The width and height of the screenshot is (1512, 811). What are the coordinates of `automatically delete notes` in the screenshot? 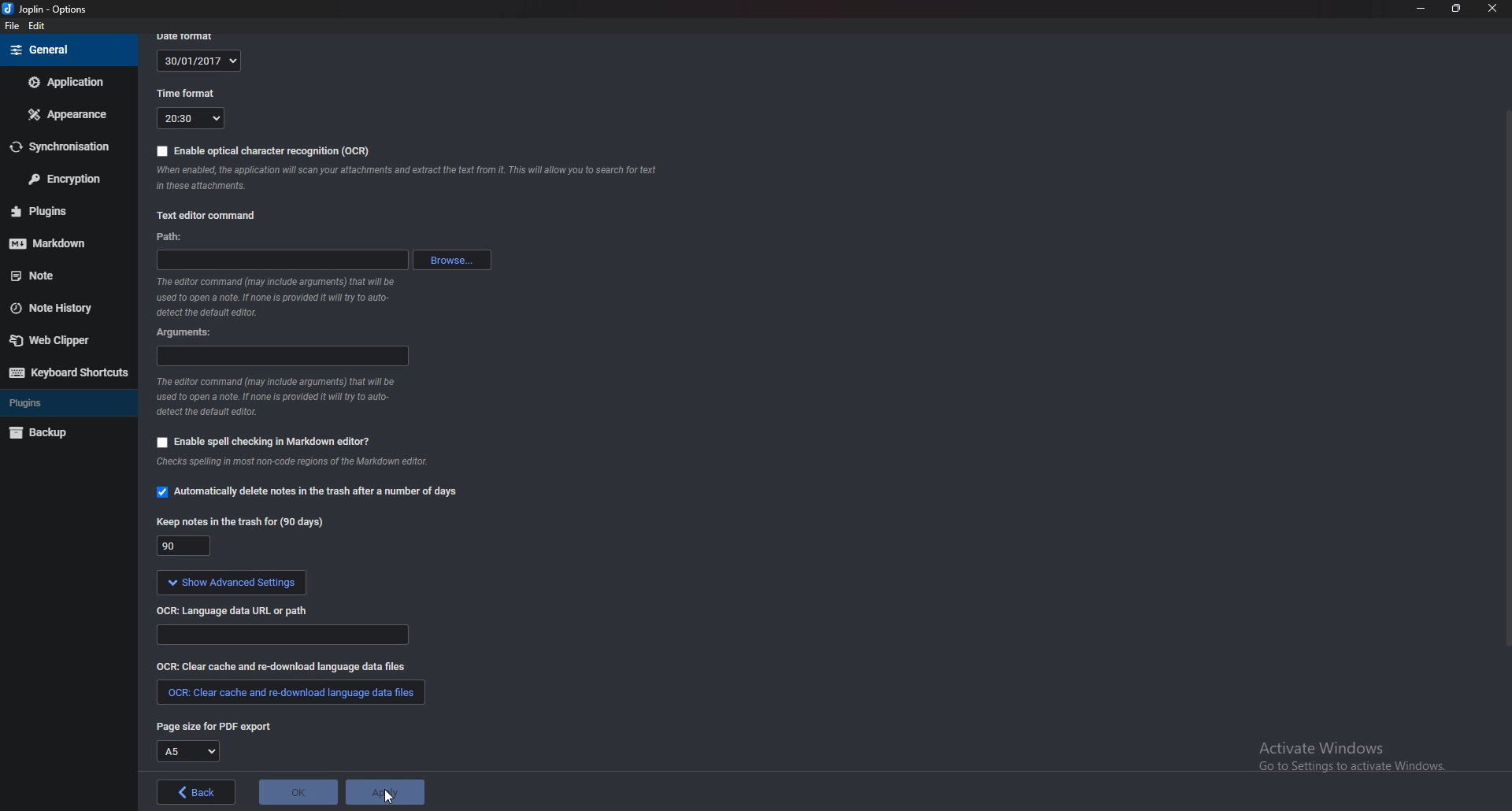 It's located at (315, 494).